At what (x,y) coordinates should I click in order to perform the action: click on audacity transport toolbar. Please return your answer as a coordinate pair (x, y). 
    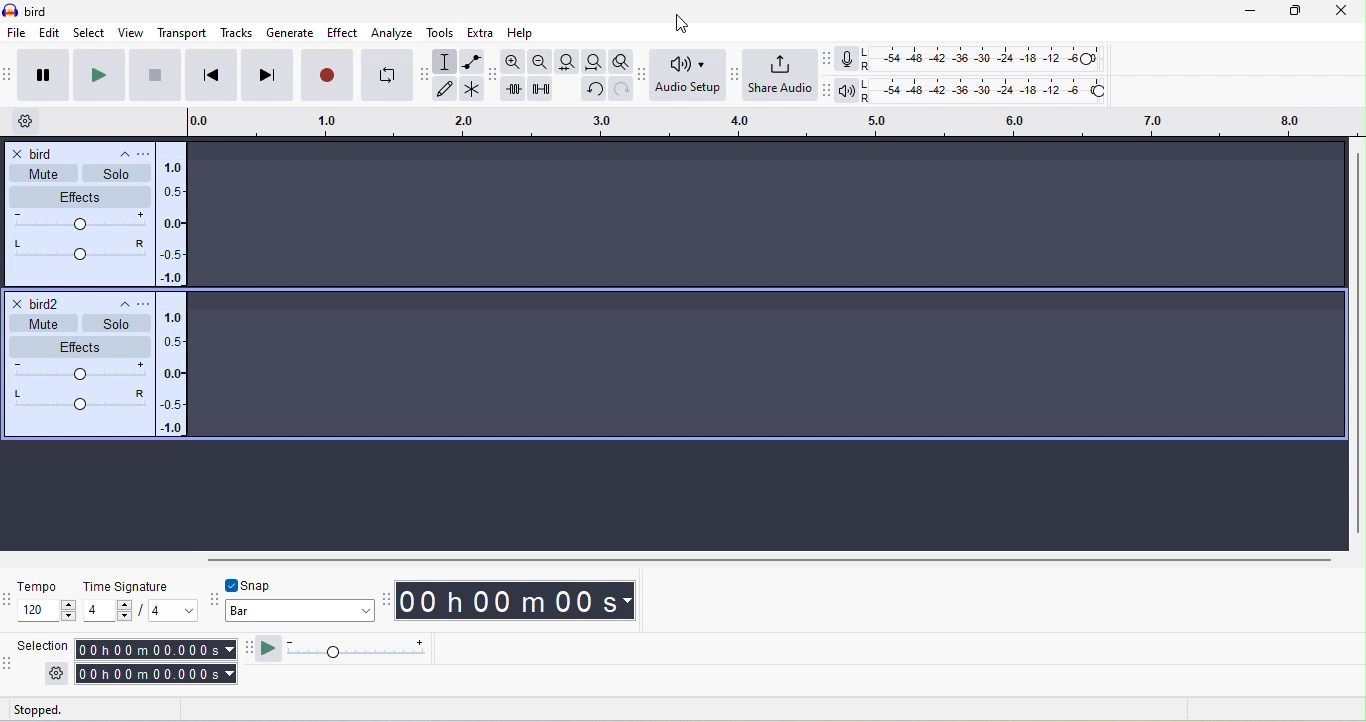
    Looking at the image, I should click on (9, 78).